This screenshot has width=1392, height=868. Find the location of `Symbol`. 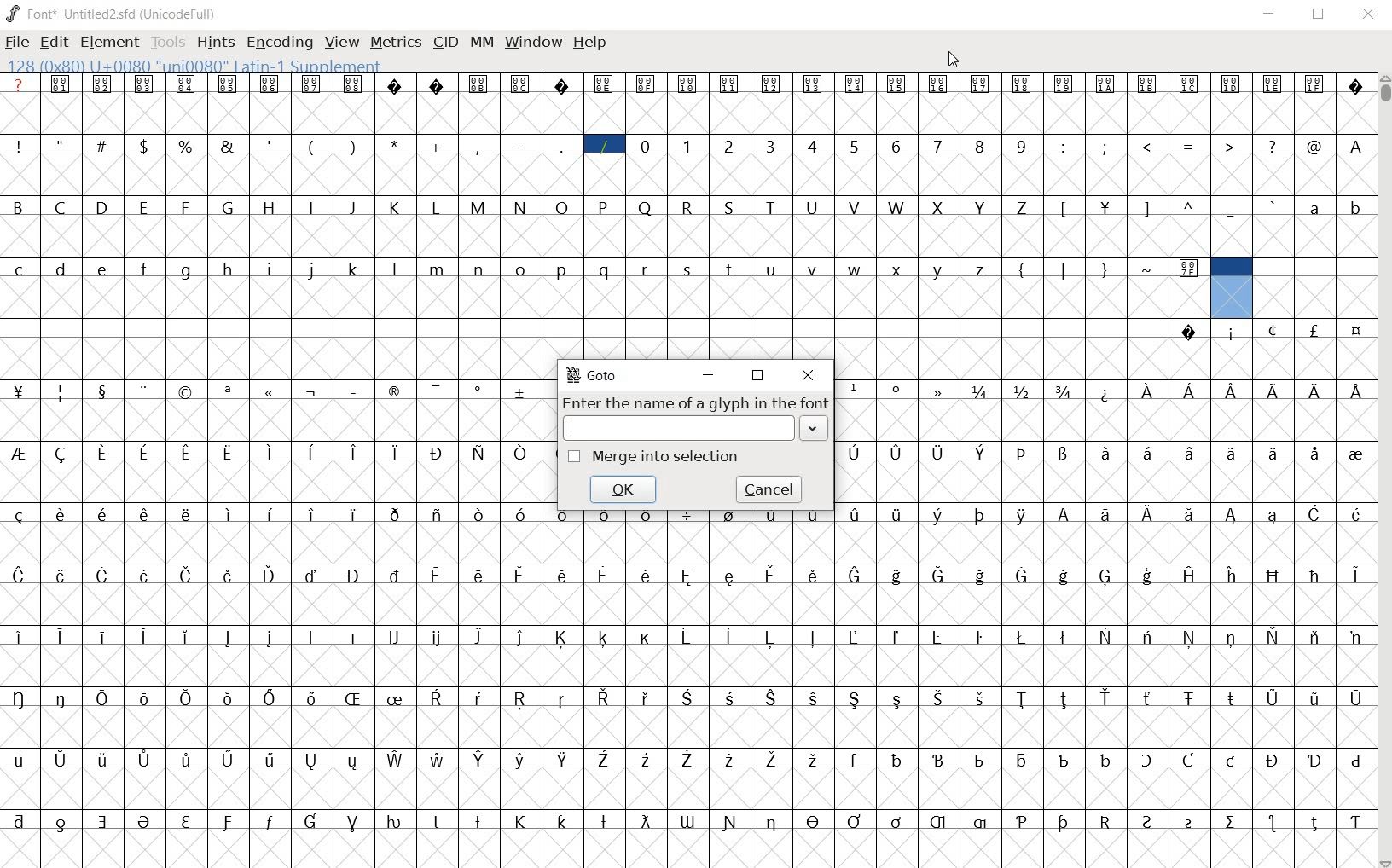

Symbol is located at coordinates (63, 392).